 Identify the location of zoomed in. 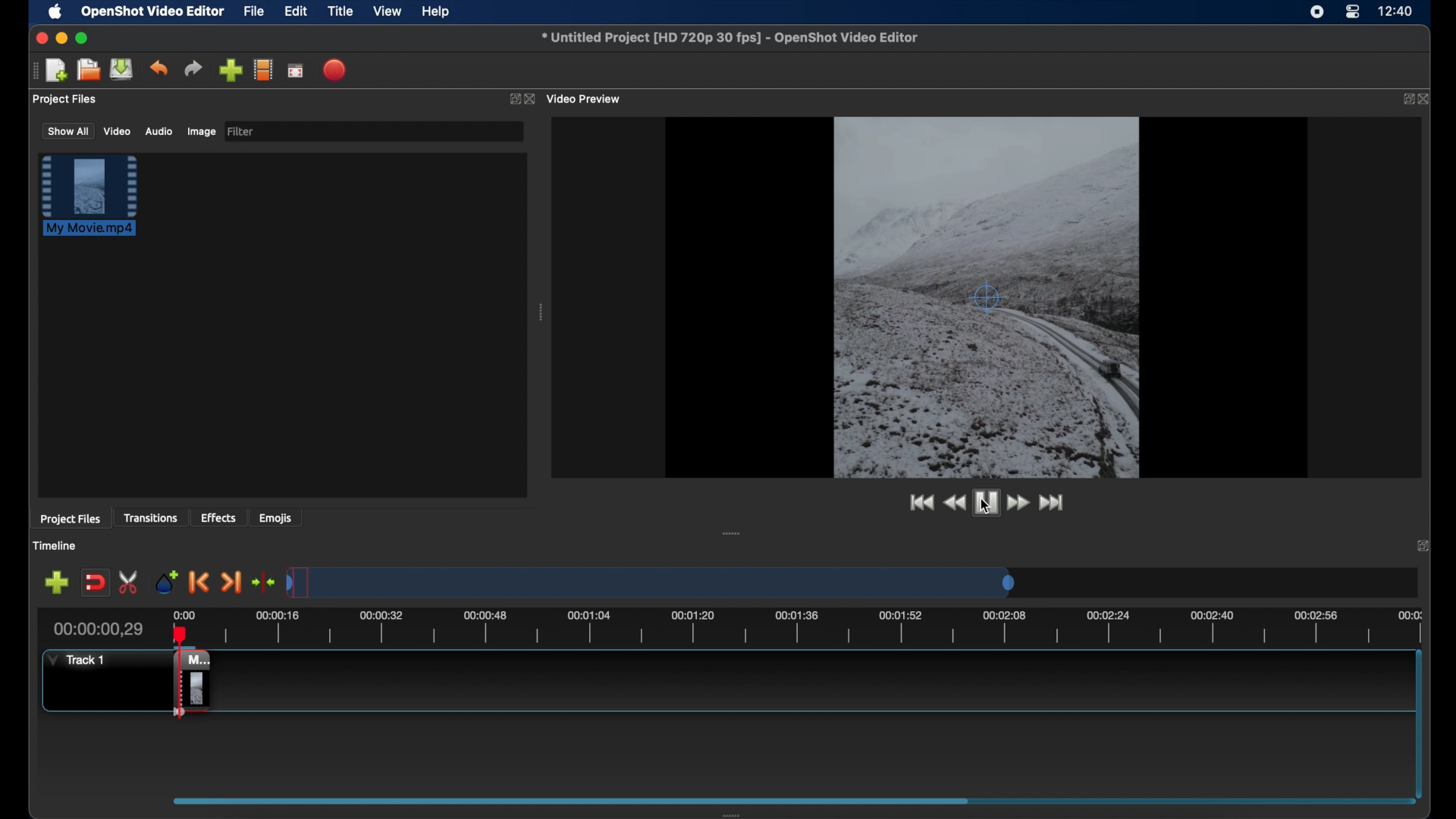
(989, 293).